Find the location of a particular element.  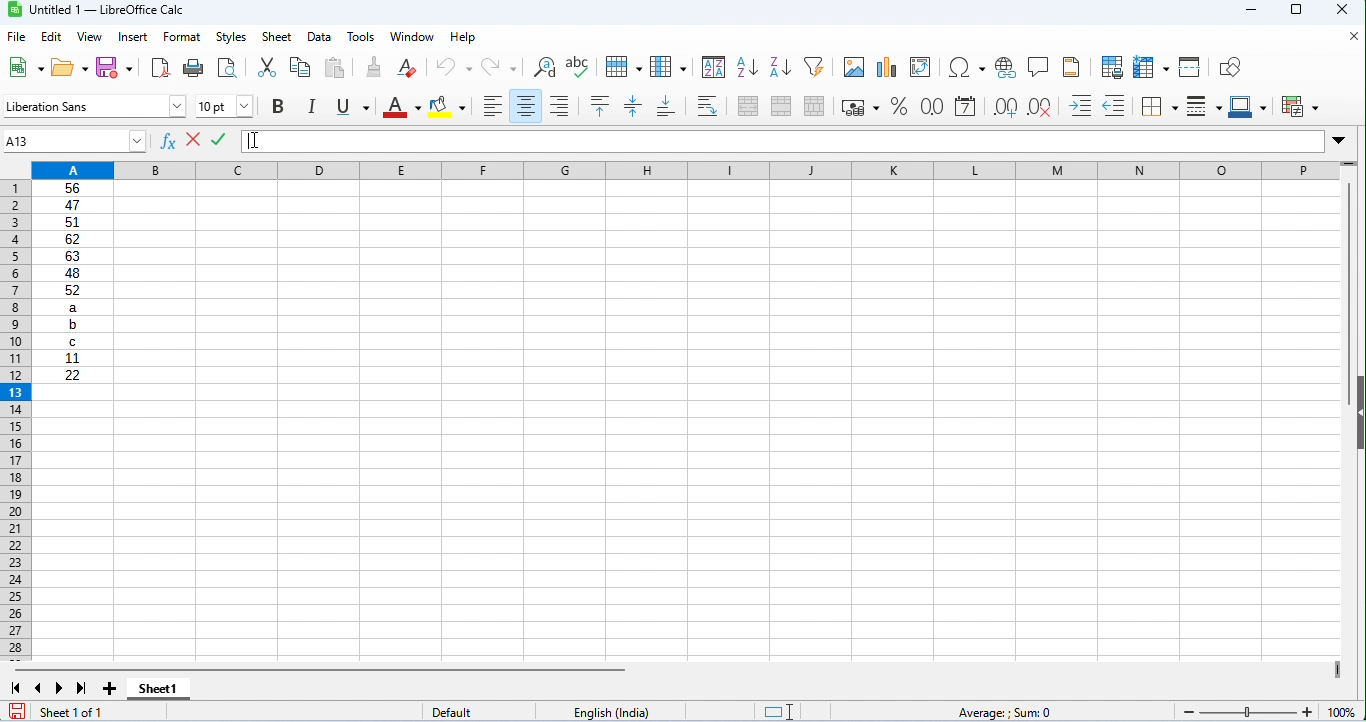

copy is located at coordinates (300, 68).